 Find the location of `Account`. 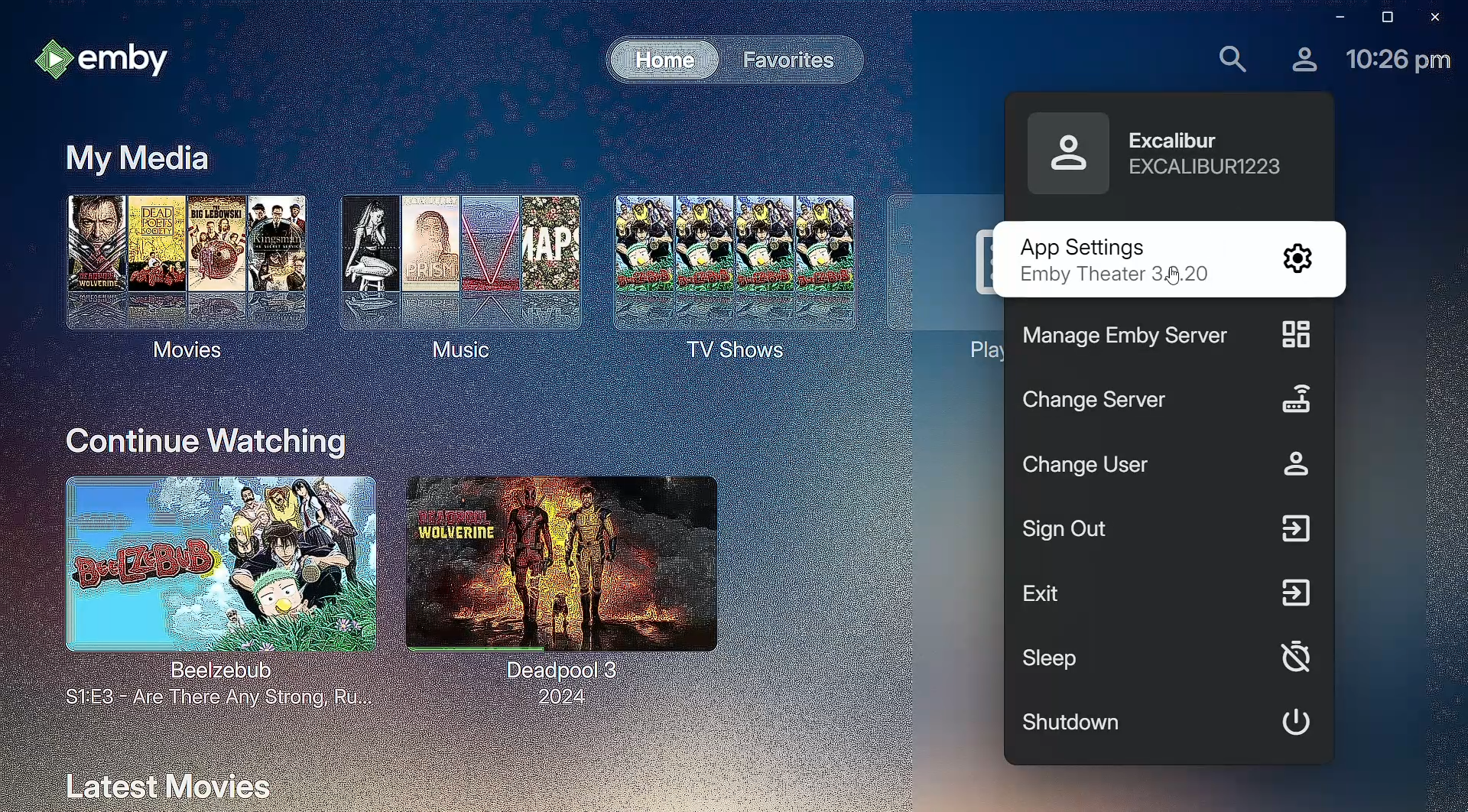

Account is located at coordinates (1301, 59).